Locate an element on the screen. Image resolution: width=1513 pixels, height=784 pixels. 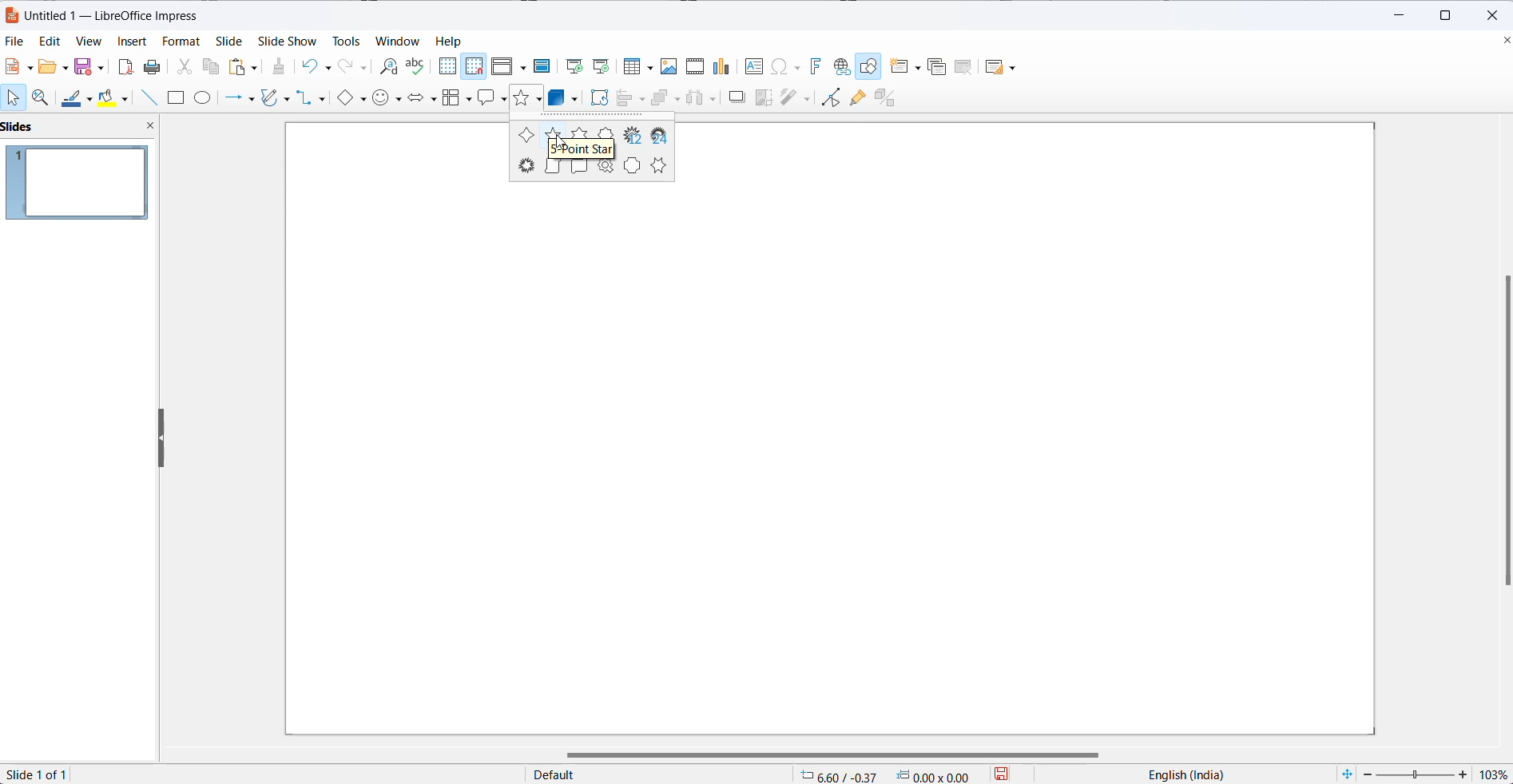
select is located at coordinates (14, 97).